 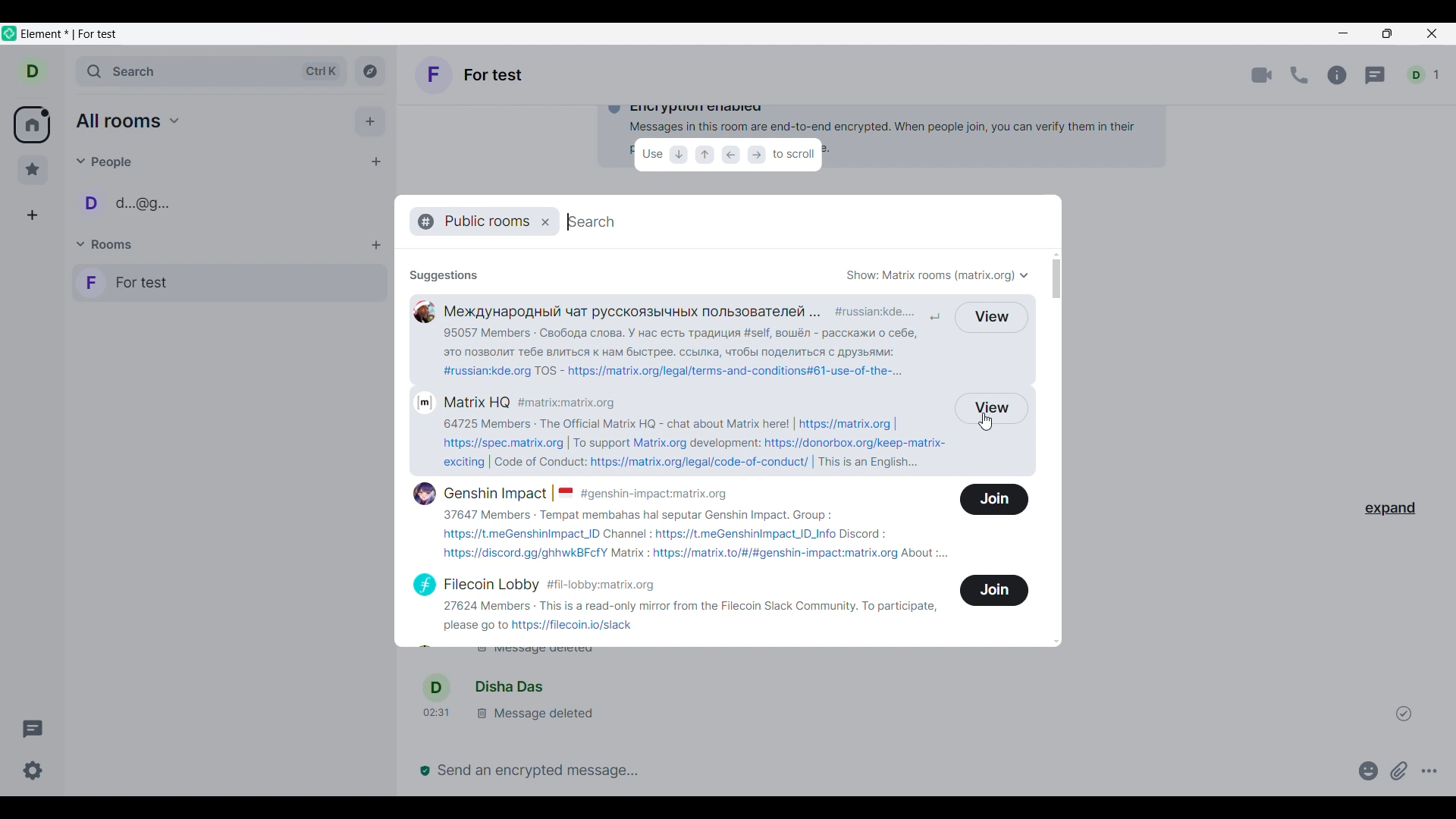 I want to click on to scroll, so click(x=795, y=158).